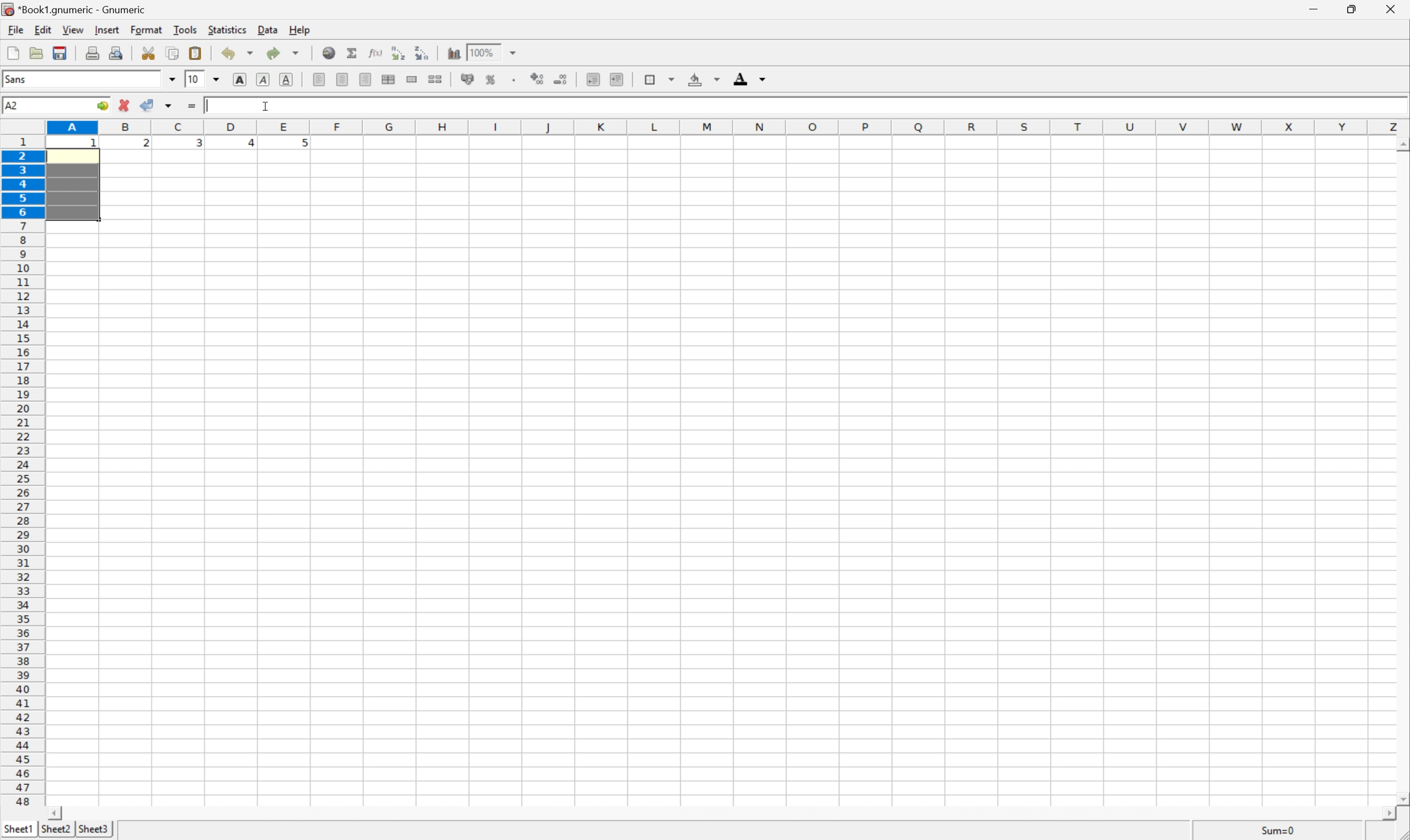 This screenshot has width=1410, height=840. What do you see at coordinates (17, 832) in the screenshot?
I see `sheet1` at bounding box center [17, 832].